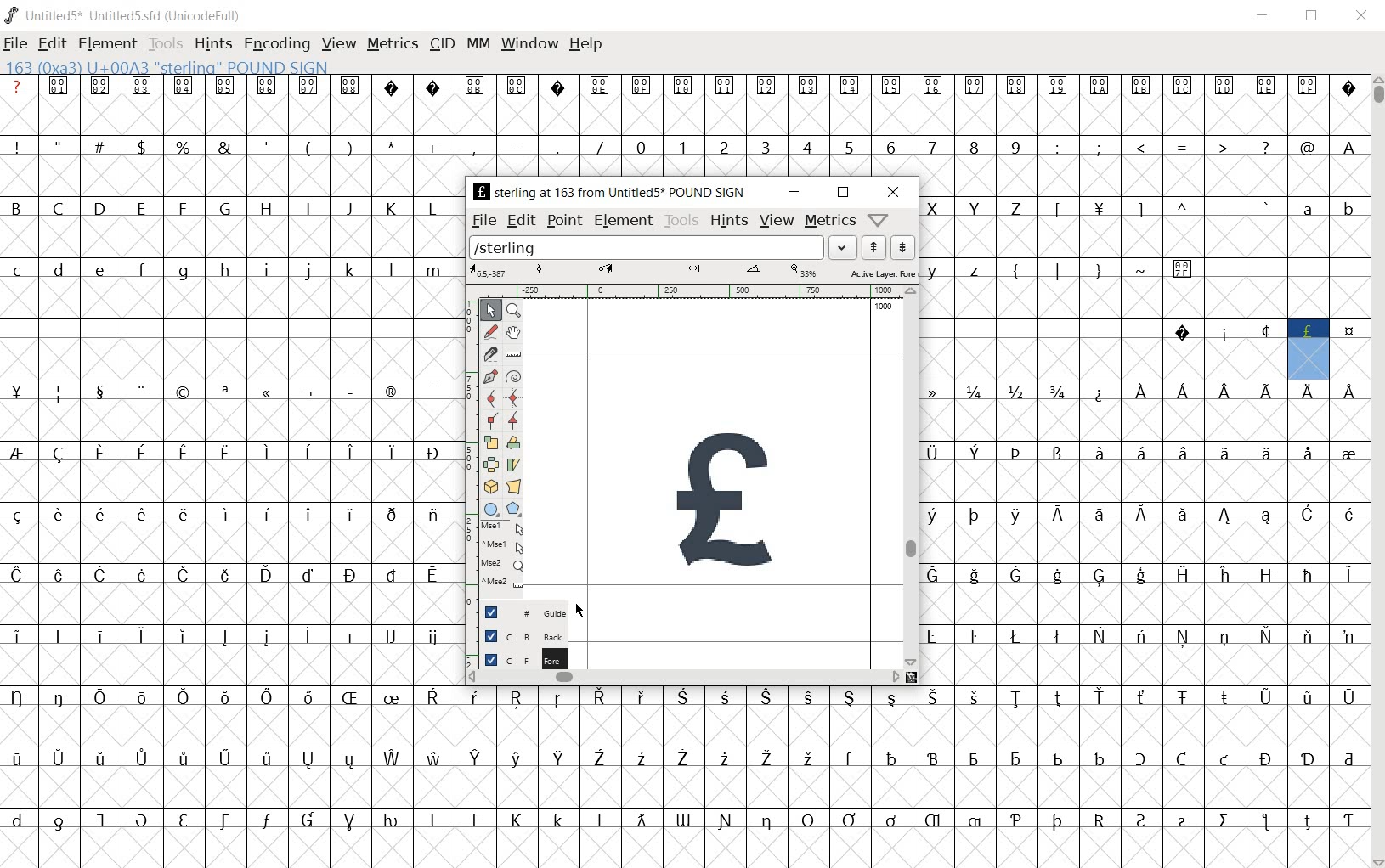 Image resolution: width=1385 pixels, height=868 pixels. What do you see at coordinates (1348, 516) in the screenshot?
I see `Symbol` at bounding box center [1348, 516].